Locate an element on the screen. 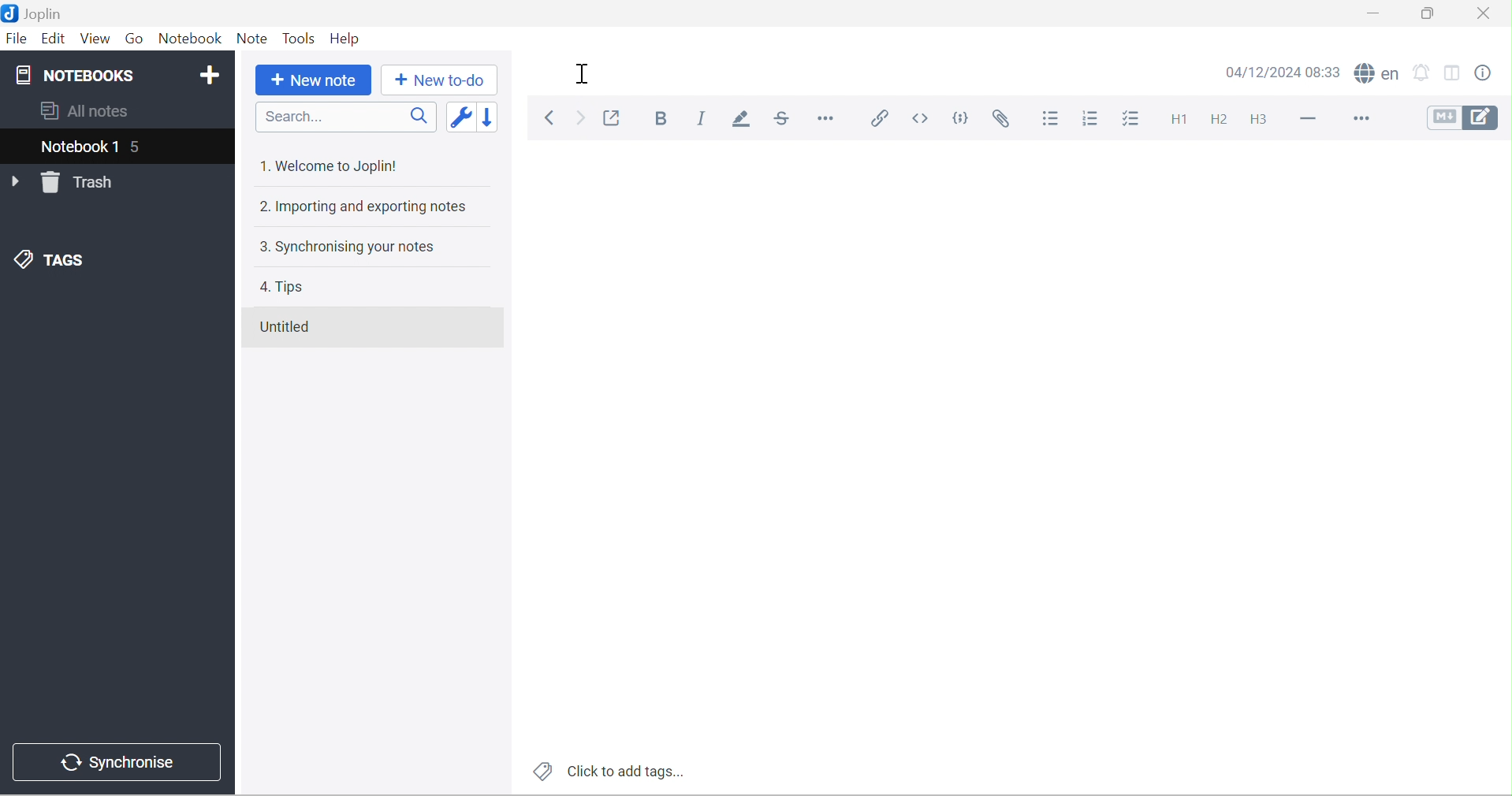 The height and width of the screenshot is (796, 1512). 3. Synchronising your notes is located at coordinates (351, 250).